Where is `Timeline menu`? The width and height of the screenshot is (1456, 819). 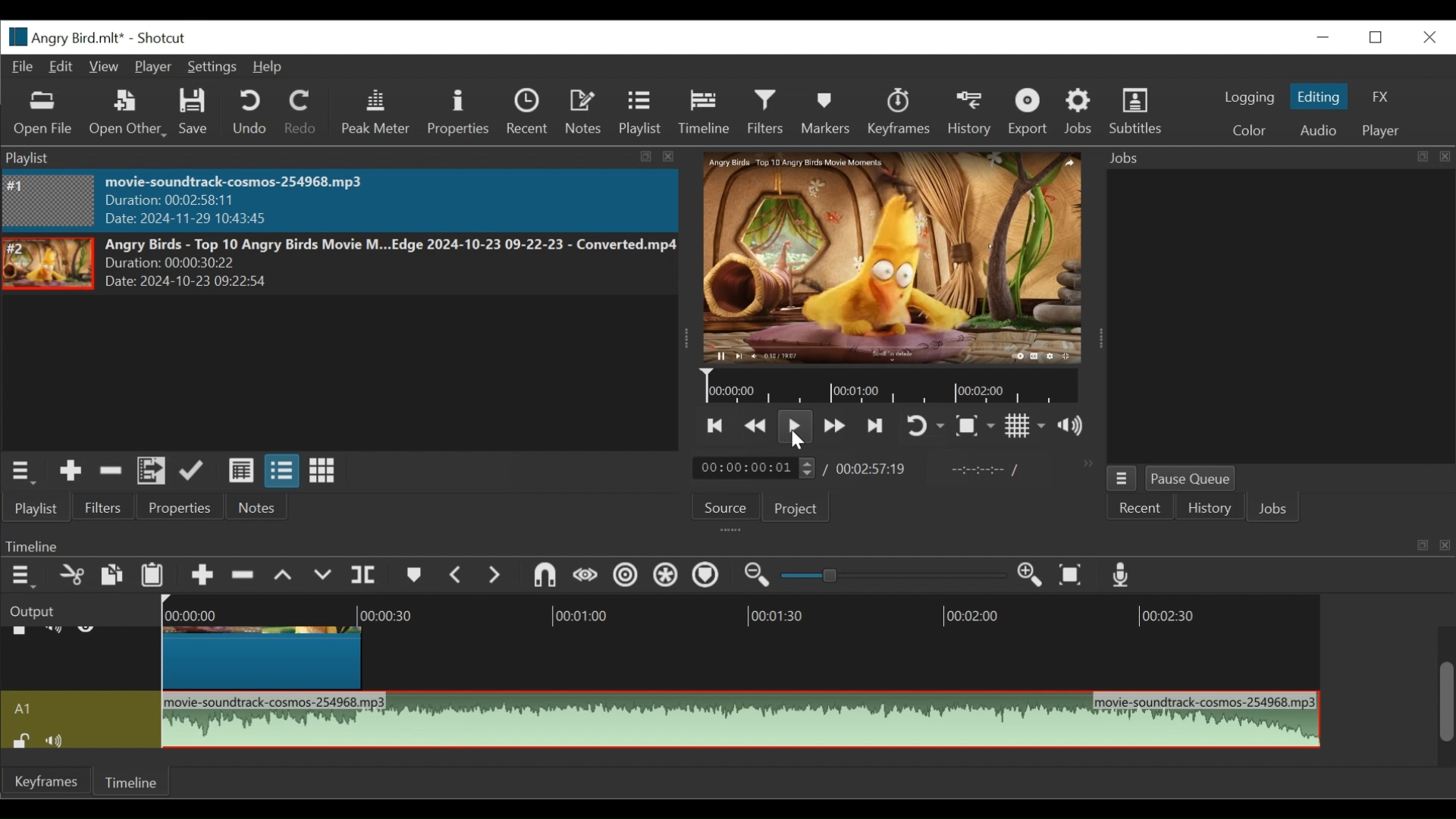 Timeline menu is located at coordinates (22, 577).